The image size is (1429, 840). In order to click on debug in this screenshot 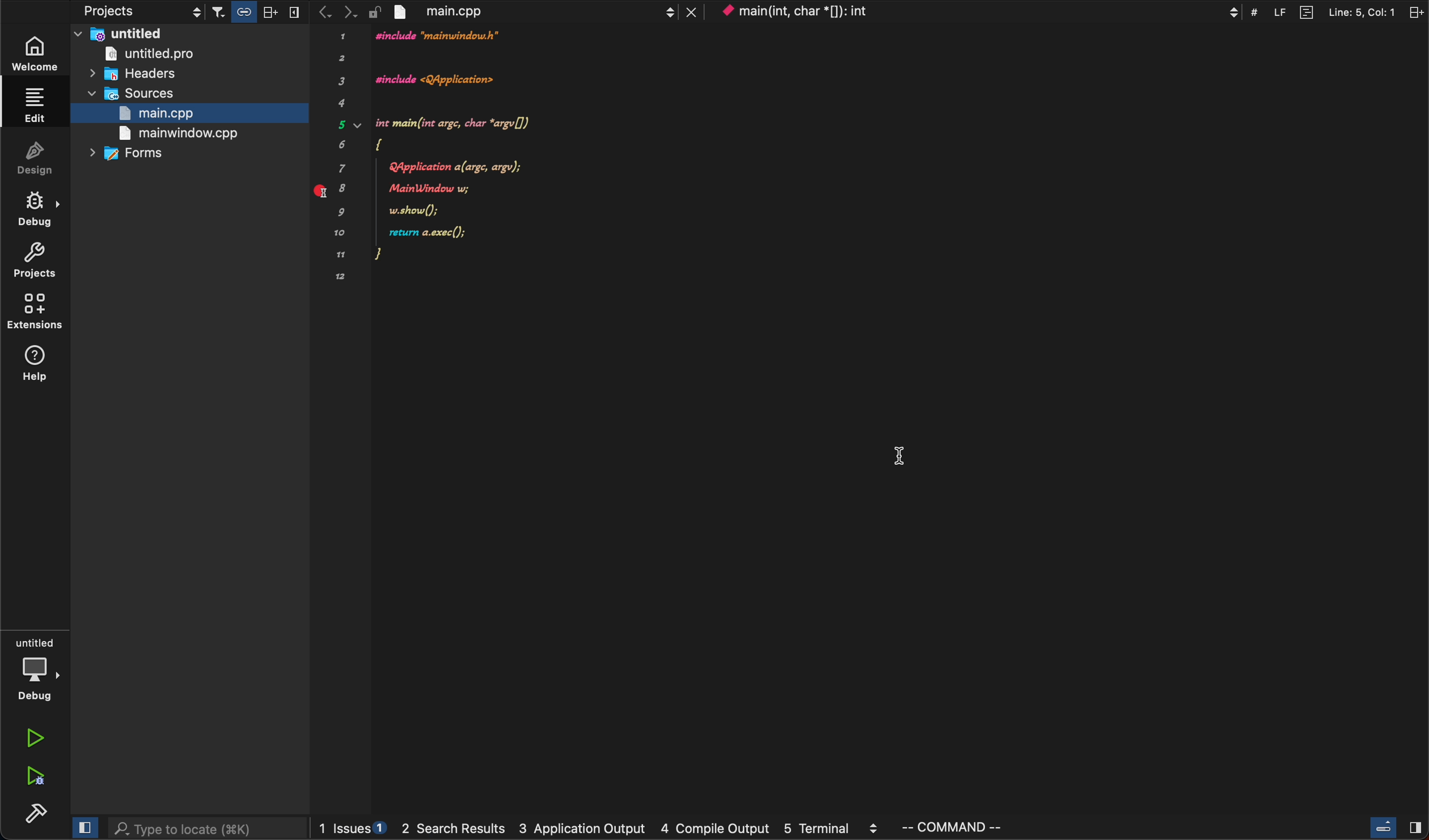, I will do `click(38, 209)`.